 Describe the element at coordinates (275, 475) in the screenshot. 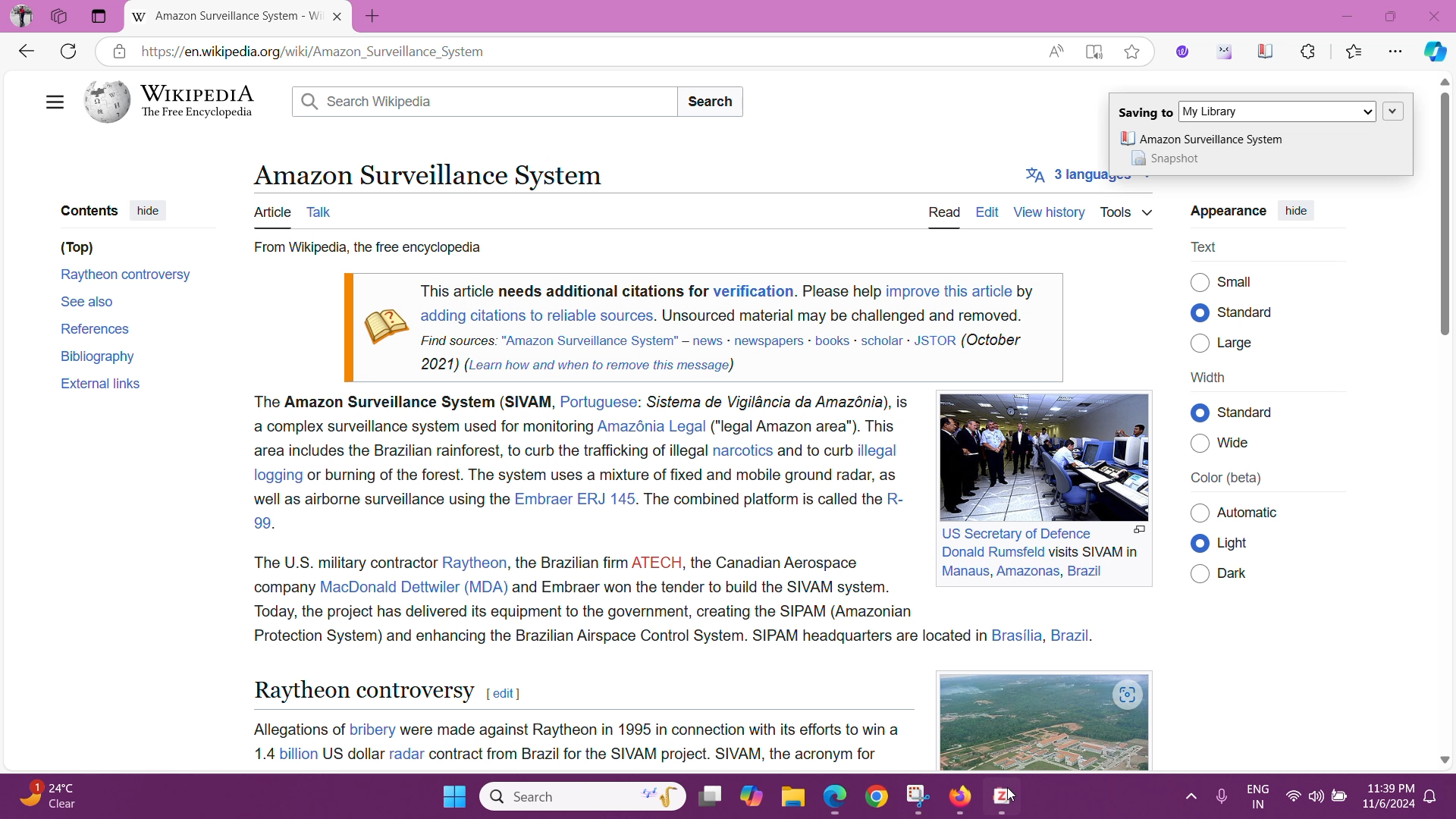

I see `logging` at that location.